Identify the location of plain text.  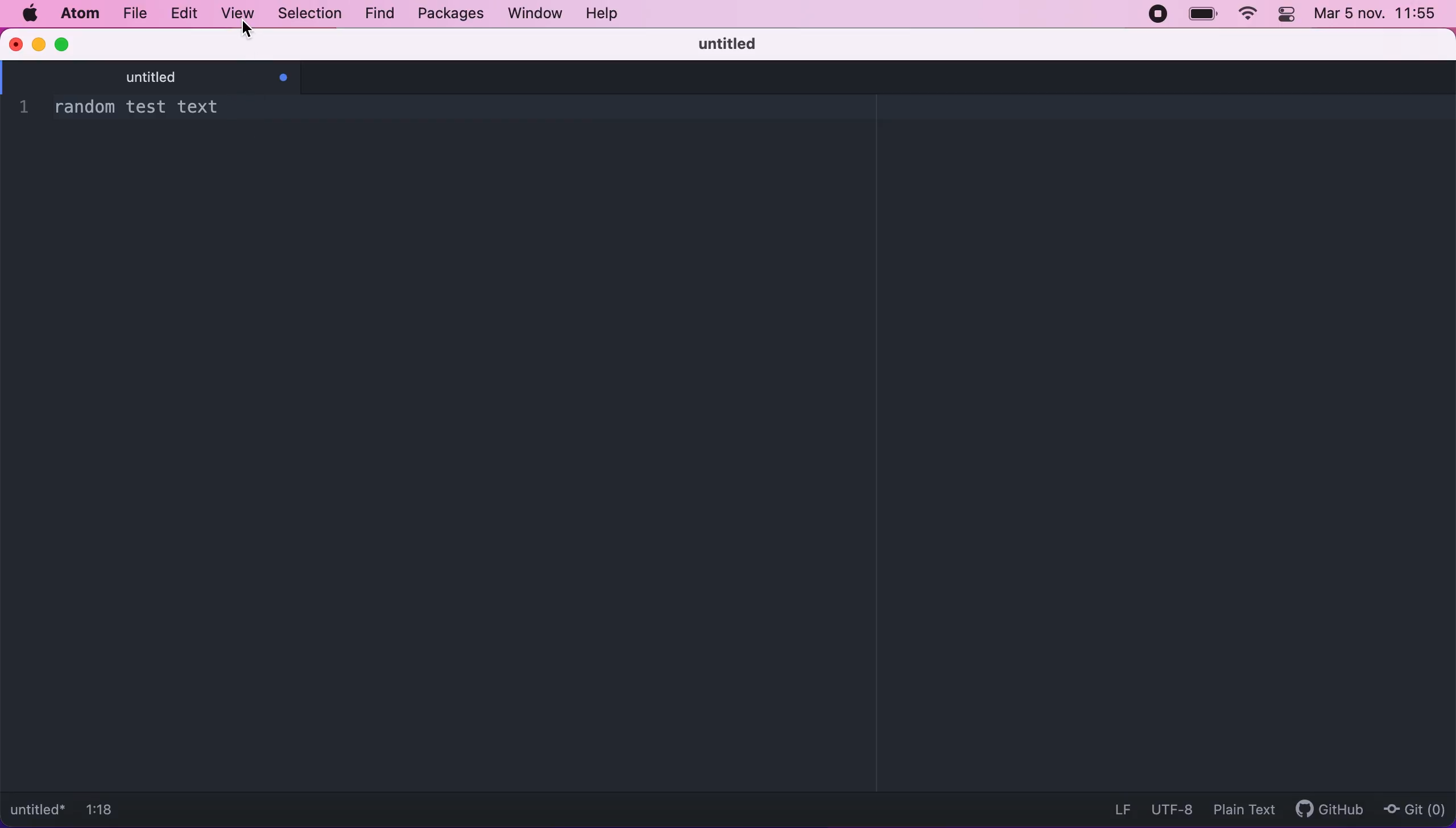
(1241, 810).